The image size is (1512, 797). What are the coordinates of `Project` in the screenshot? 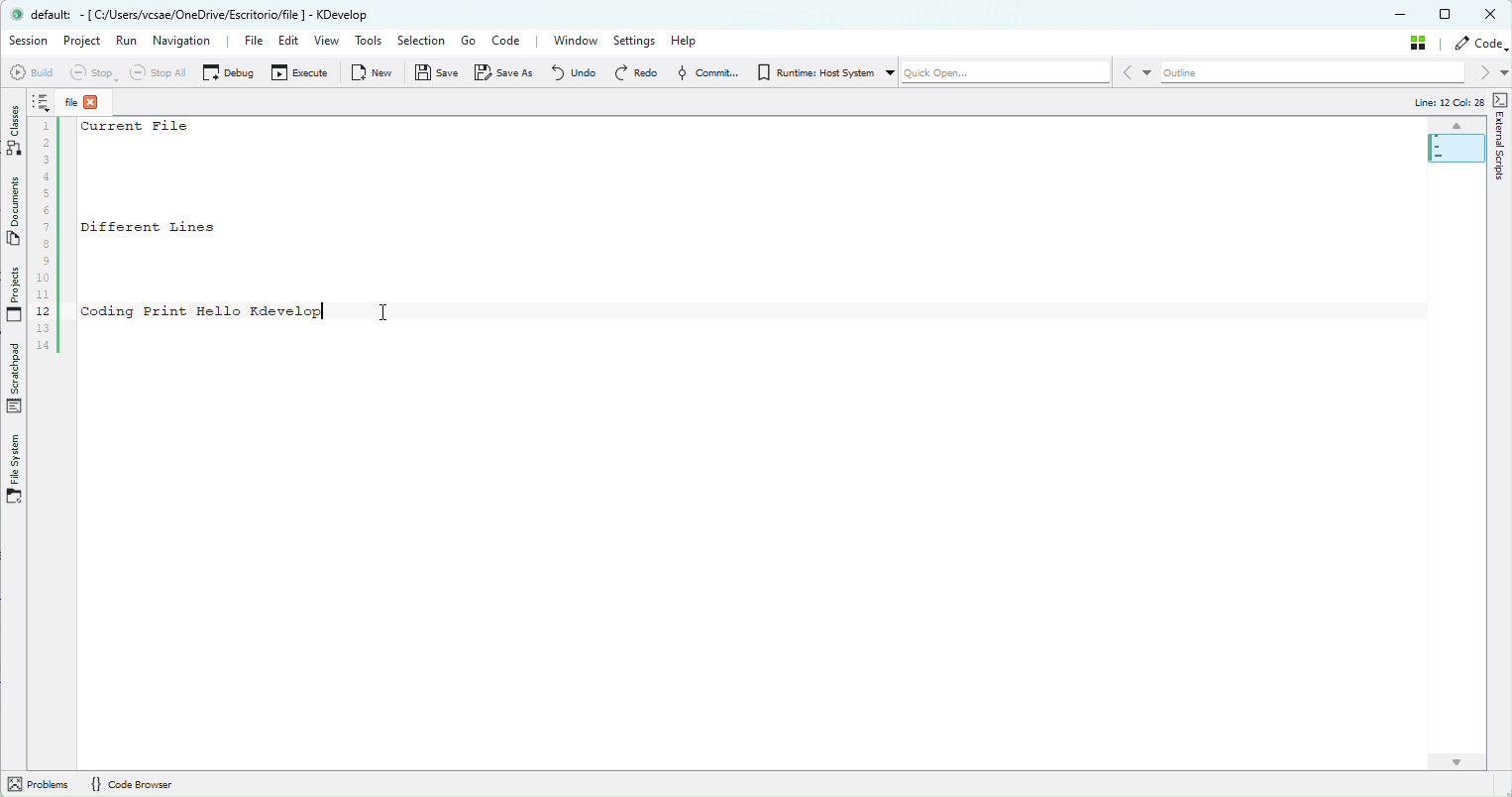 It's located at (81, 41).